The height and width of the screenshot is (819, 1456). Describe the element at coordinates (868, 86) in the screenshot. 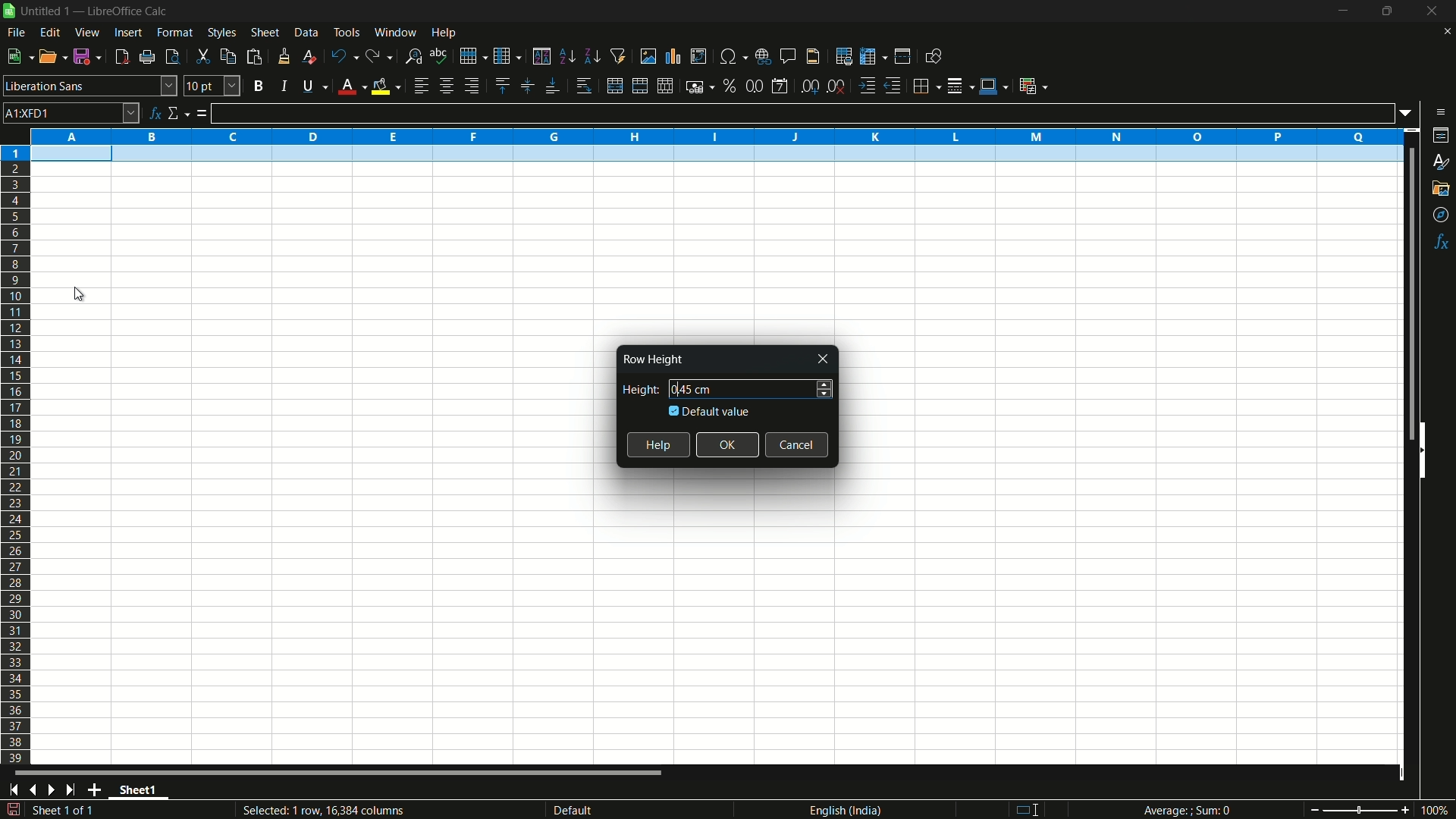

I see `increase indentation` at that location.